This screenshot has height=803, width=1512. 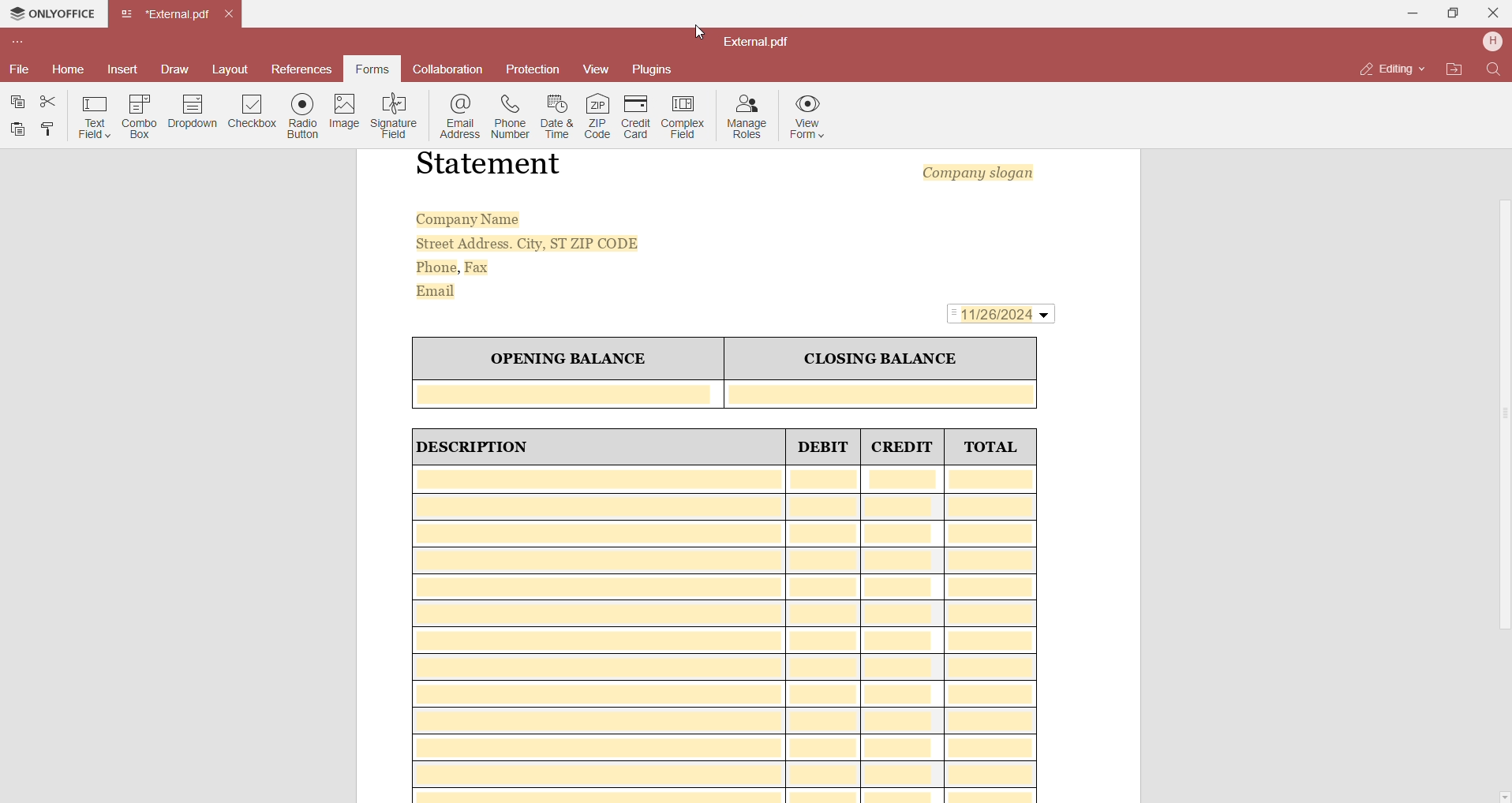 What do you see at coordinates (51, 15) in the screenshot?
I see `OnlyOffice Application name` at bounding box center [51, 15].